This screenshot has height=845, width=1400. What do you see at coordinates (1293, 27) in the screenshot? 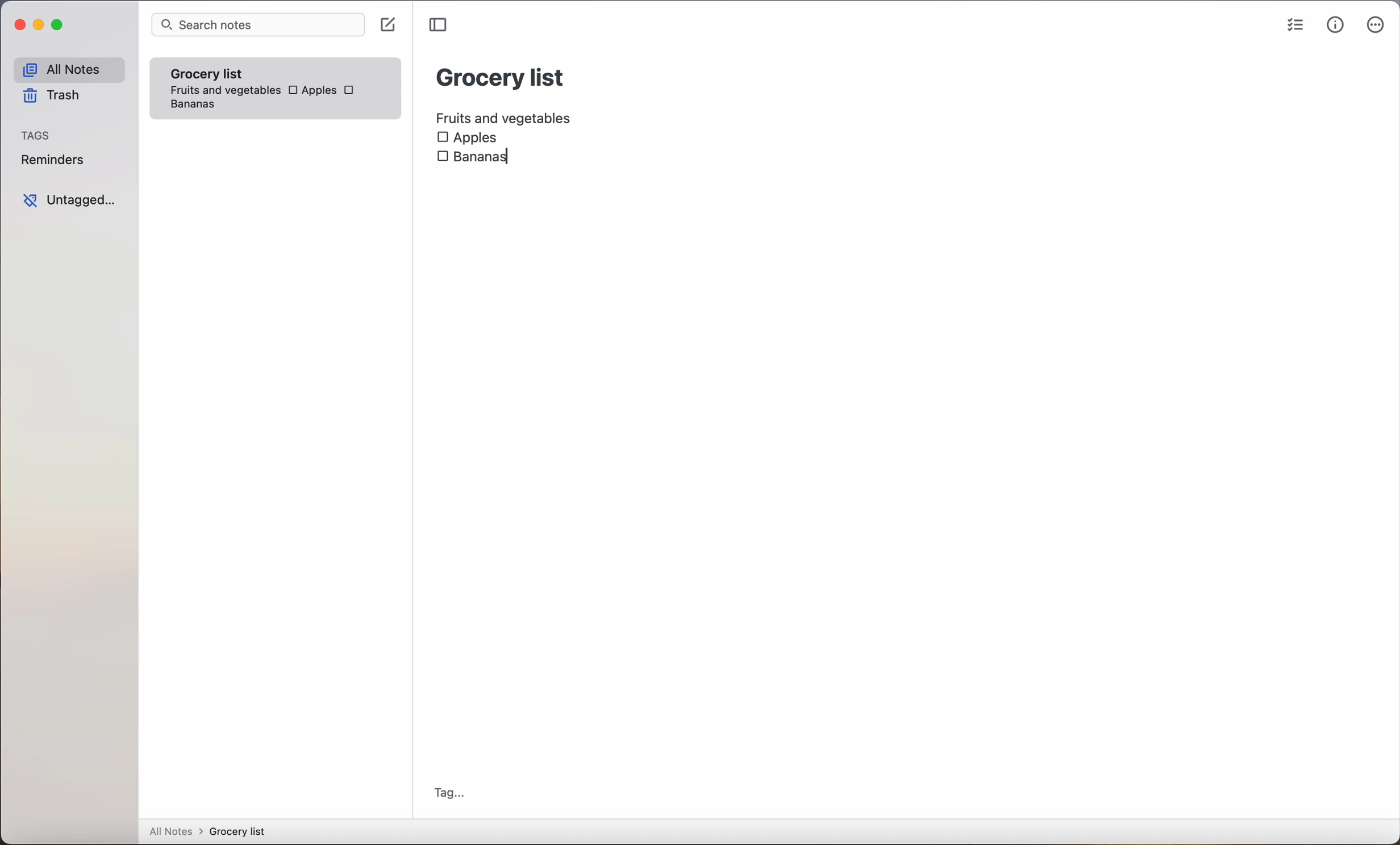
I see `checklist` at bounding box center [1293, 27].